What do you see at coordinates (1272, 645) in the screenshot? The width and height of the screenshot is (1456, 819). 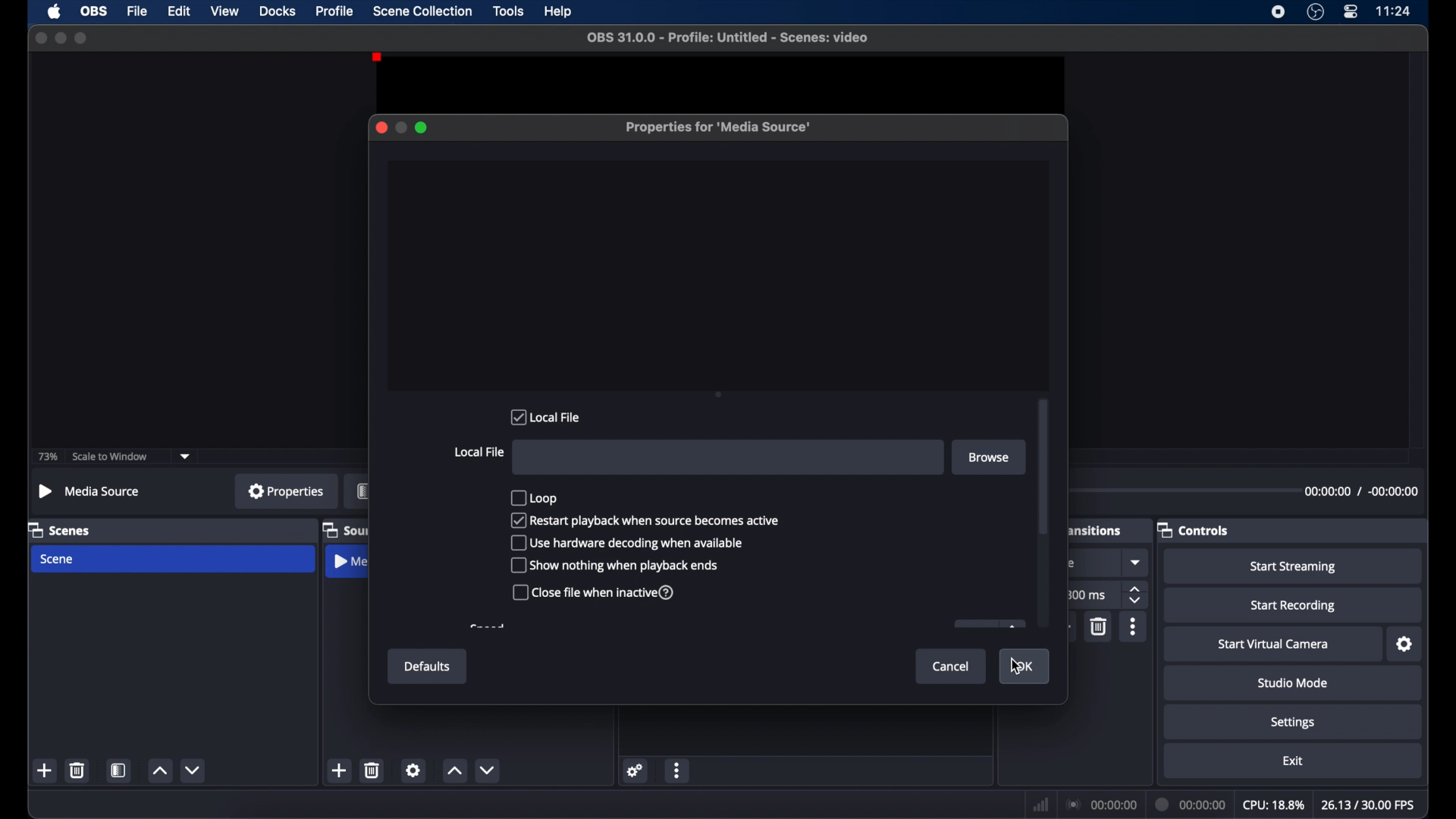 I see `start virtual camera` at bounding box center [1272, 645].